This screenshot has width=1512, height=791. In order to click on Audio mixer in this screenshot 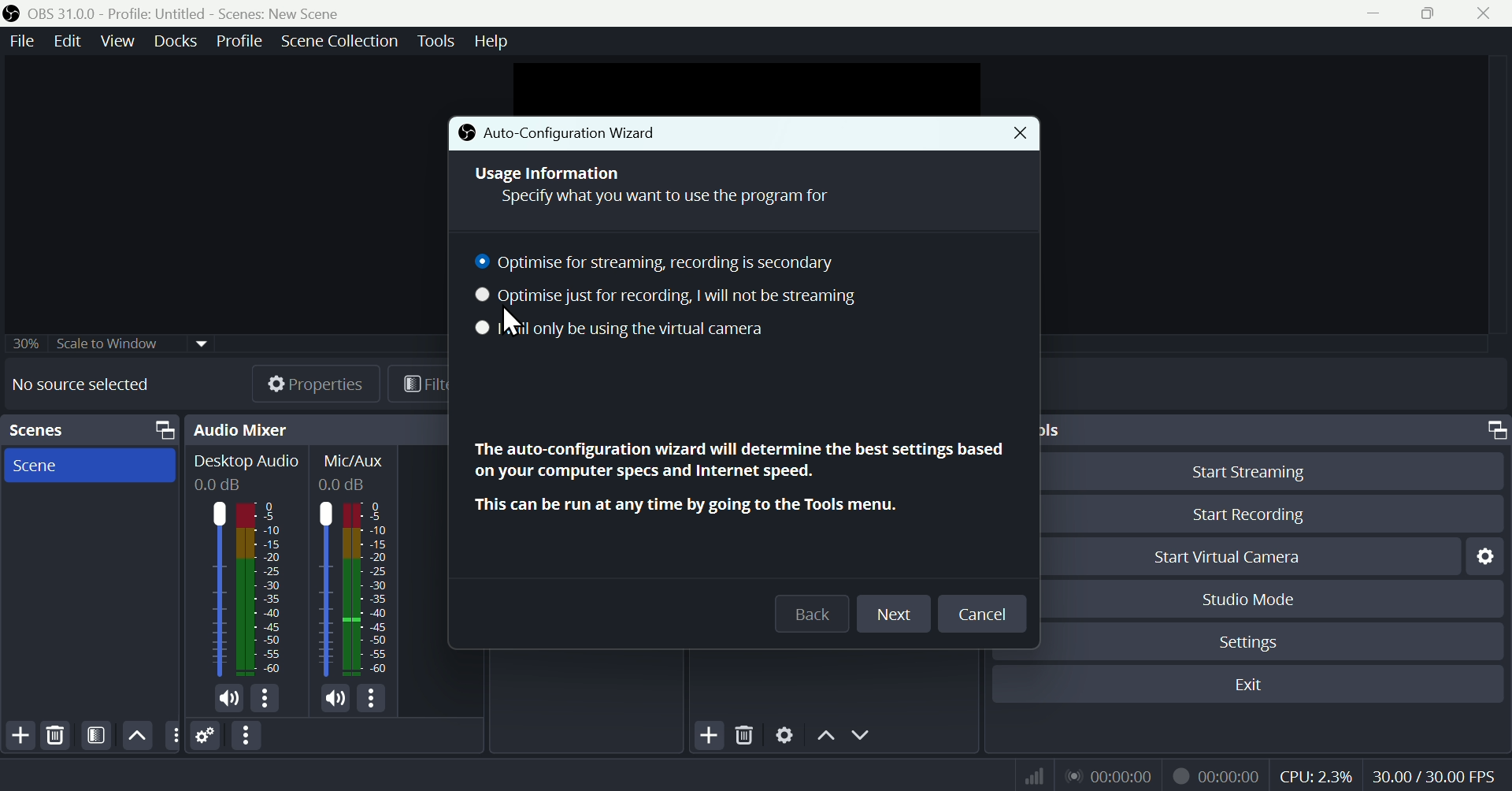, I will do `click(246, 567)`.